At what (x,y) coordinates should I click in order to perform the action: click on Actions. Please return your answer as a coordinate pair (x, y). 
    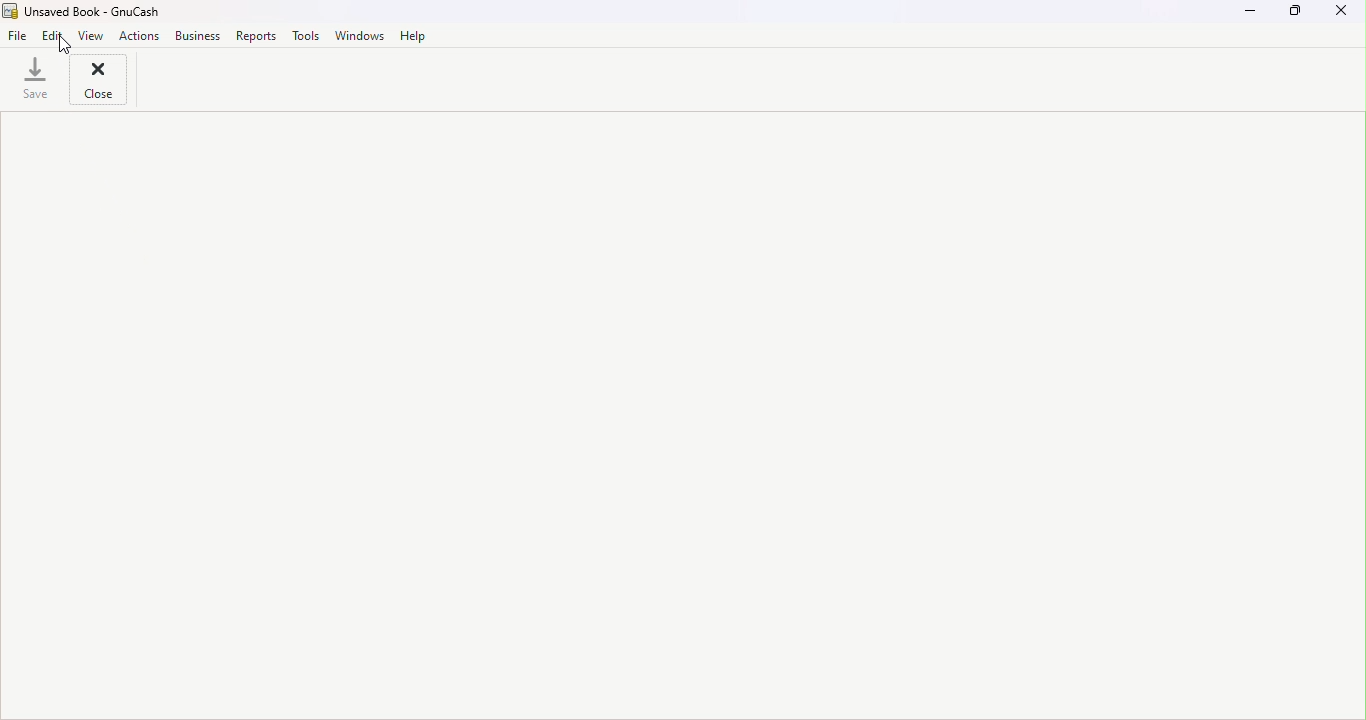
    Looking at the image, I should click on (139, 36).